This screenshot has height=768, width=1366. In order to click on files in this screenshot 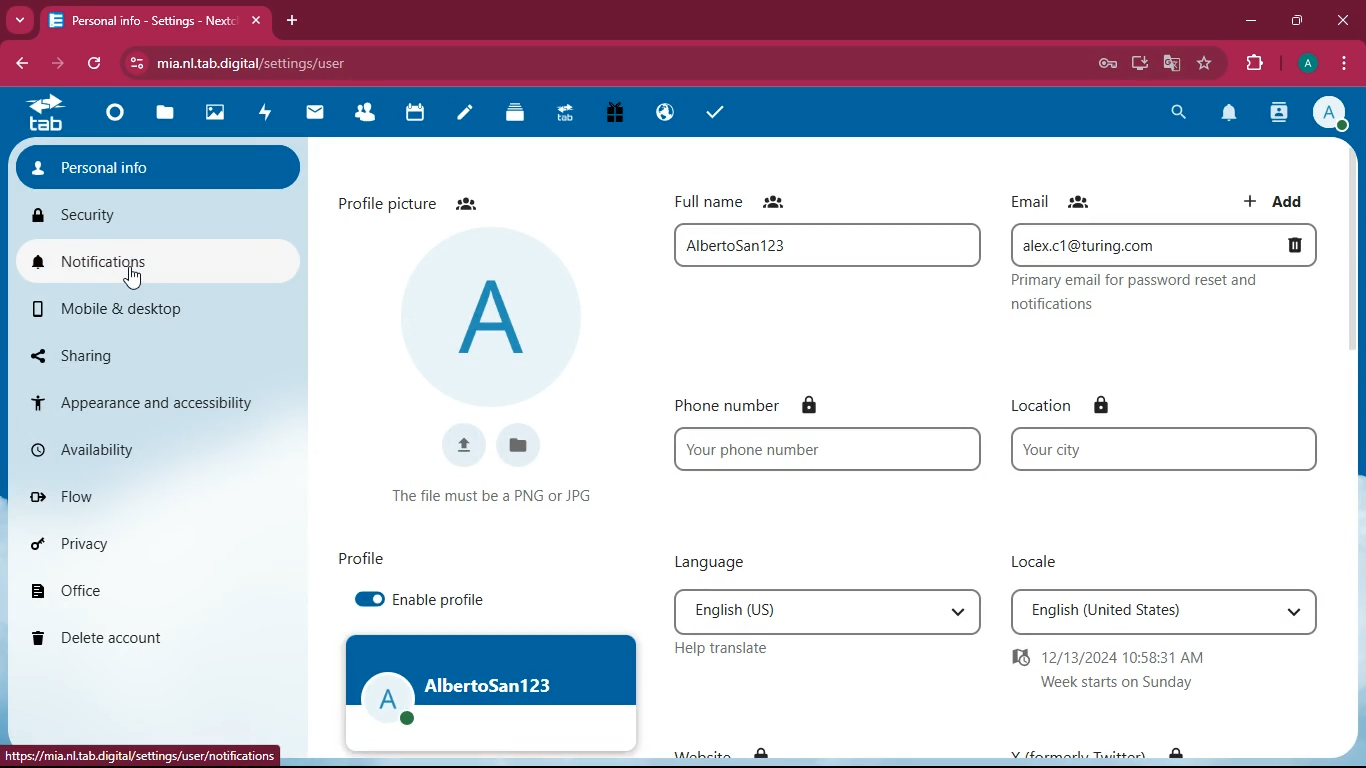, I will do `click(517, 444)`.